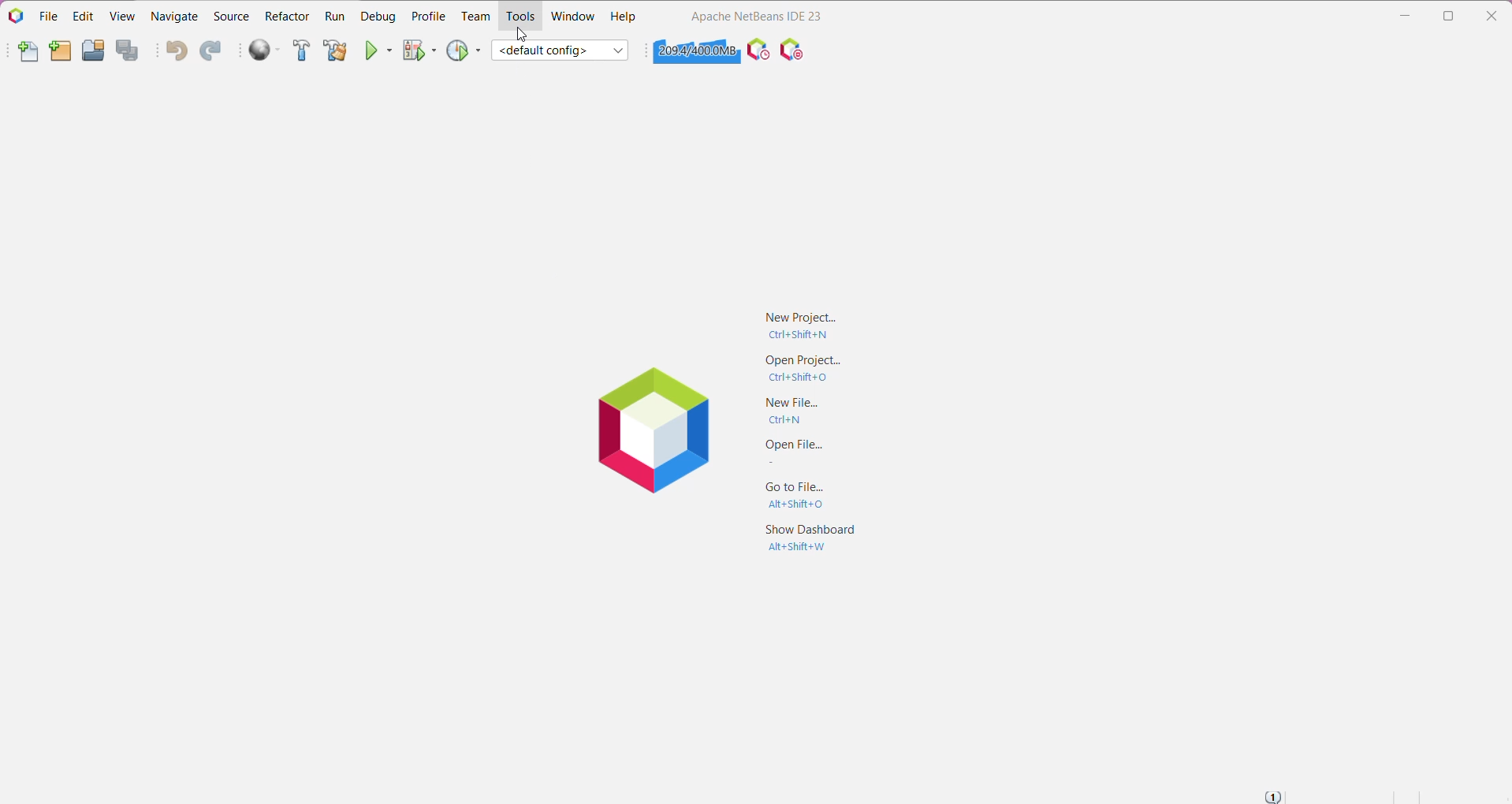 The height and width of the screenshot is (804, 1512). I want to click on Redo, so click(211, 52).